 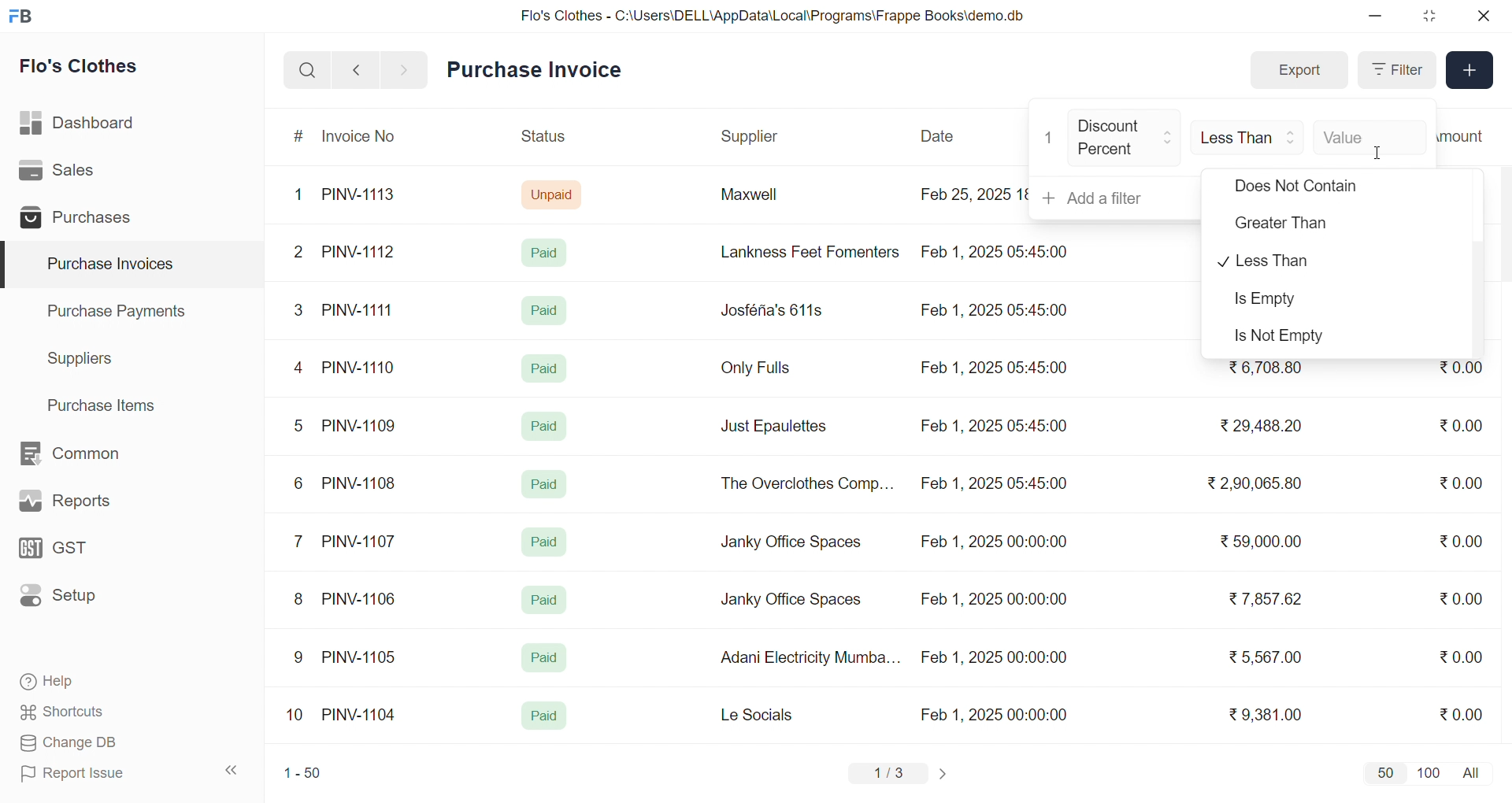 What do you see at coordinates (1050, 138) in the screenshot?
I see `1` at bounding box center [1050, 138].